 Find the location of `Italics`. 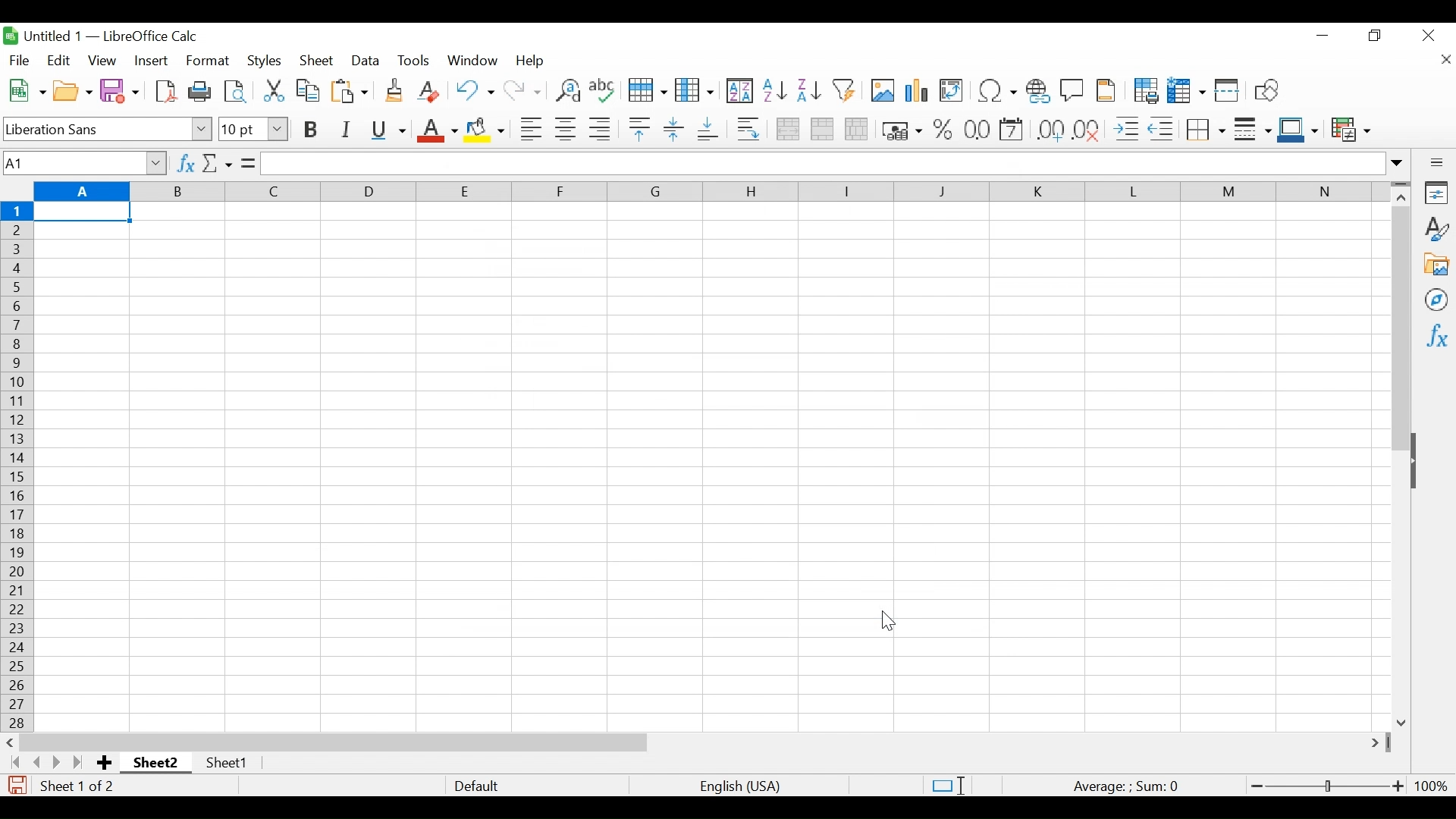

Italics is located at coordinates (344, 130).